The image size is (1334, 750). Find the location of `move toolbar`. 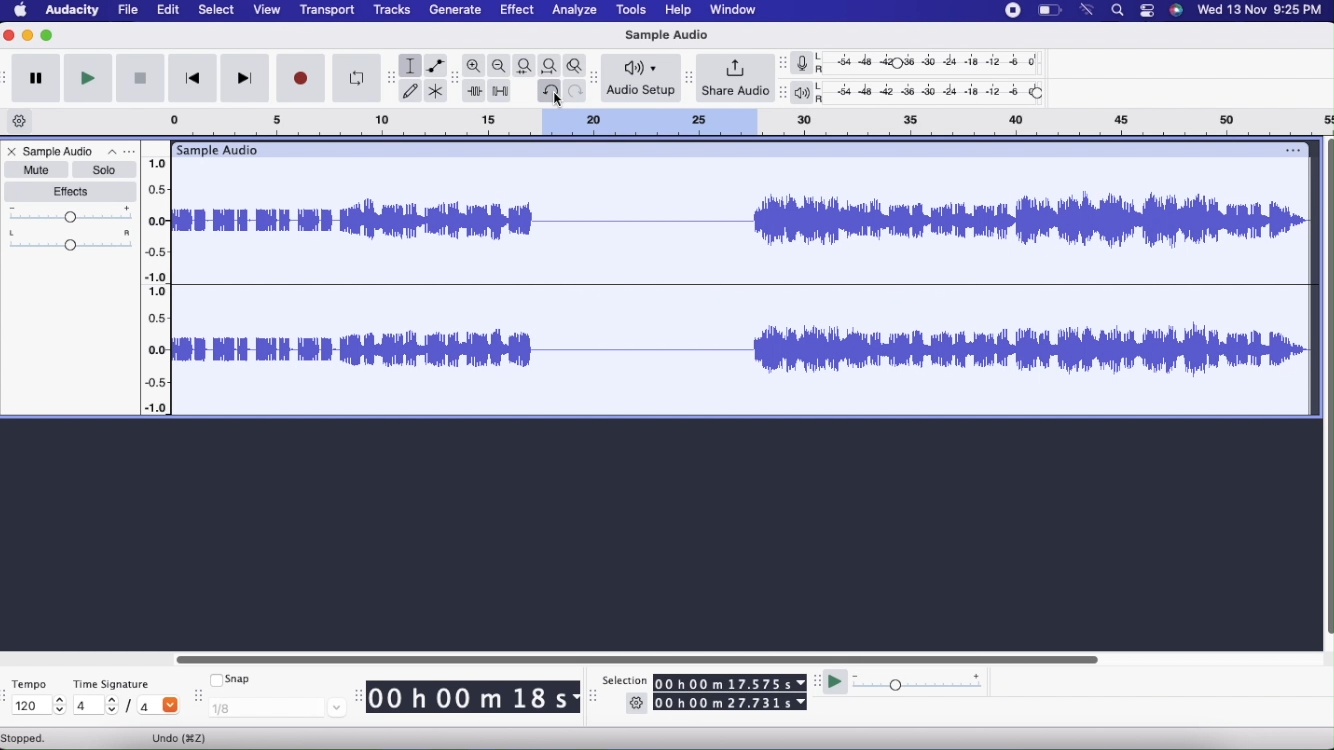

move toolbar is located at coordinates (689, 78).